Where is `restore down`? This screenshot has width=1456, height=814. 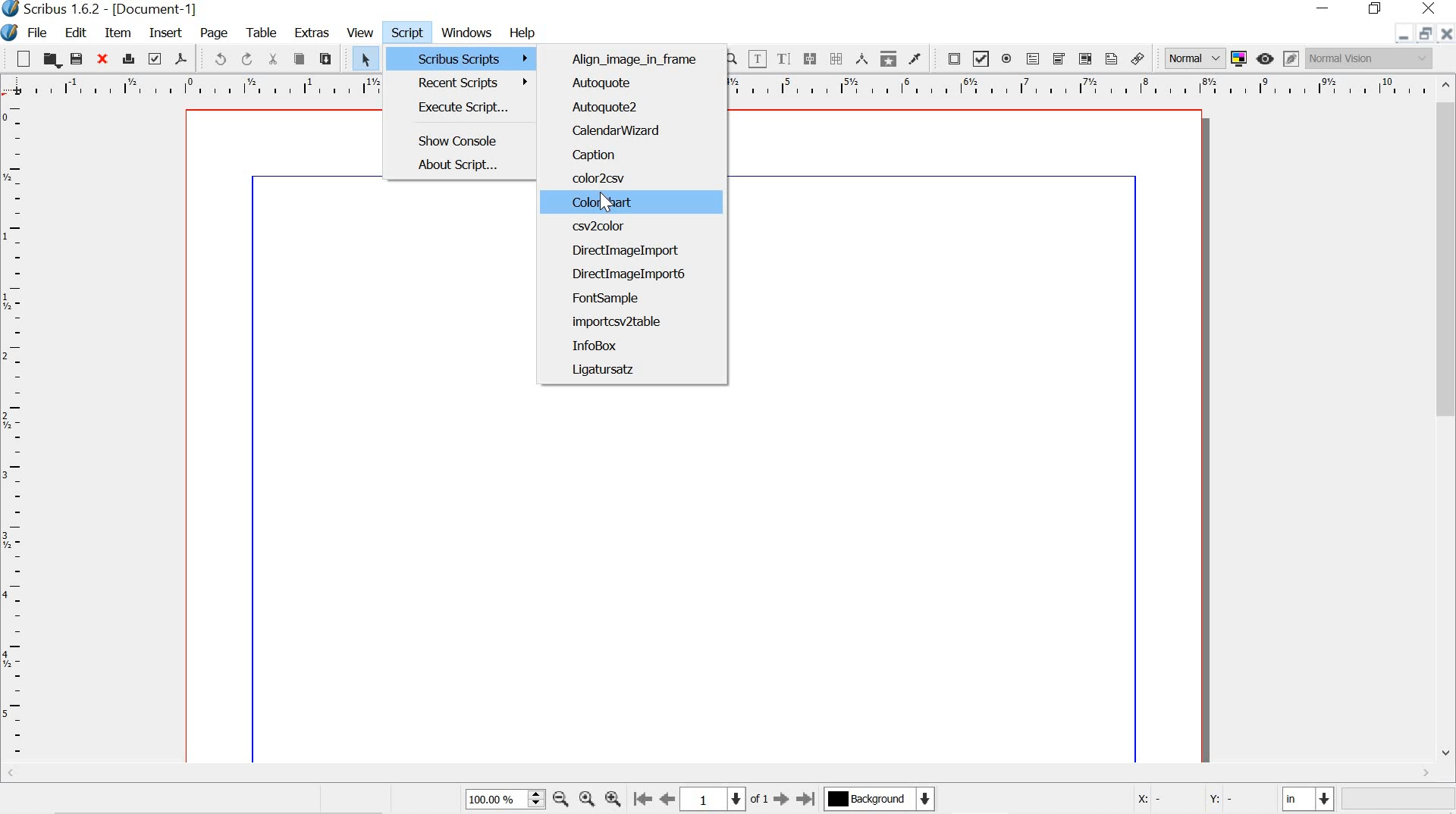
restore down is located at coordinates (1427, 33).